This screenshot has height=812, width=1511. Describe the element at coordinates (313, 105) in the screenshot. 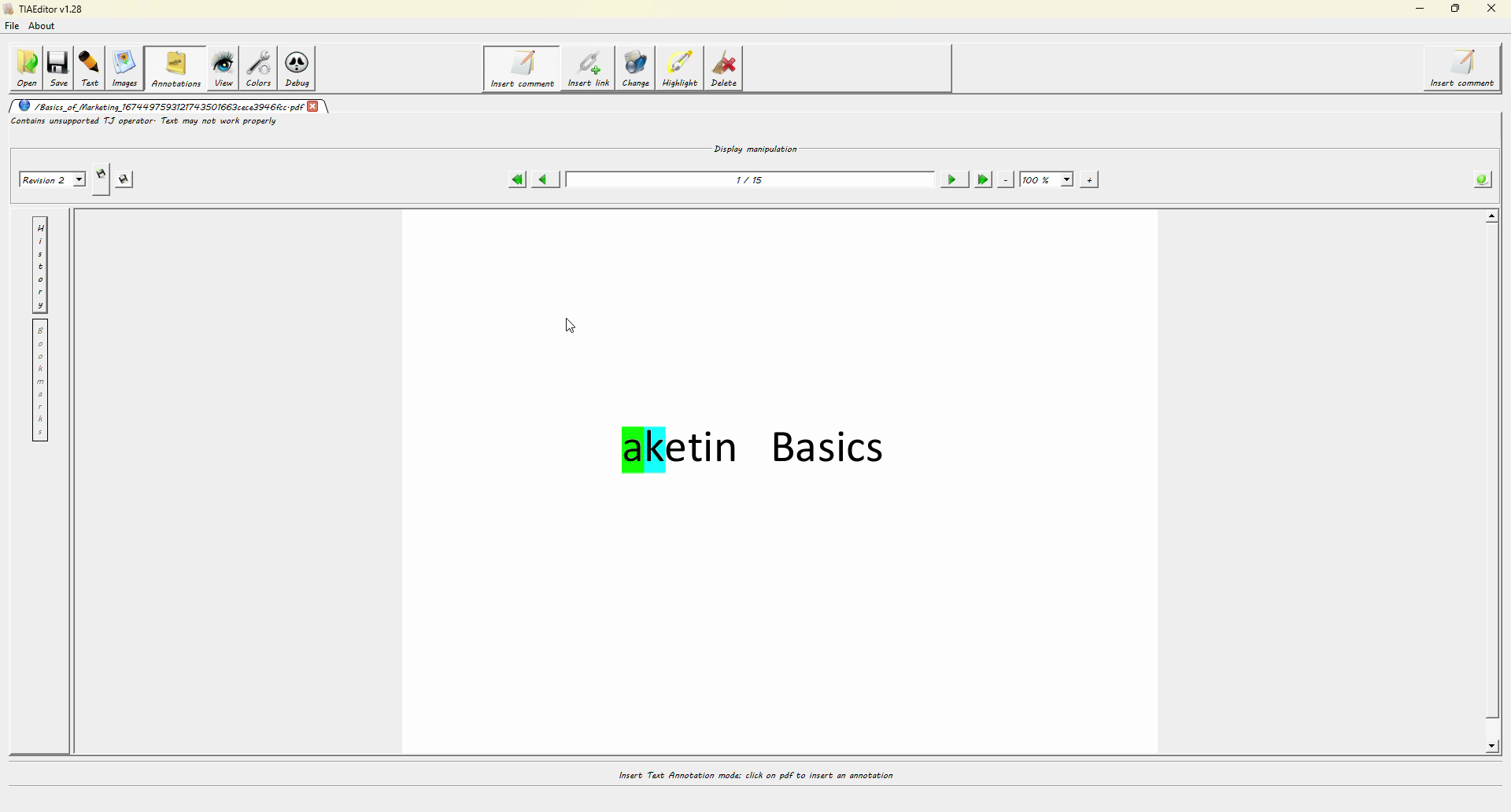

I see `close` at that location.